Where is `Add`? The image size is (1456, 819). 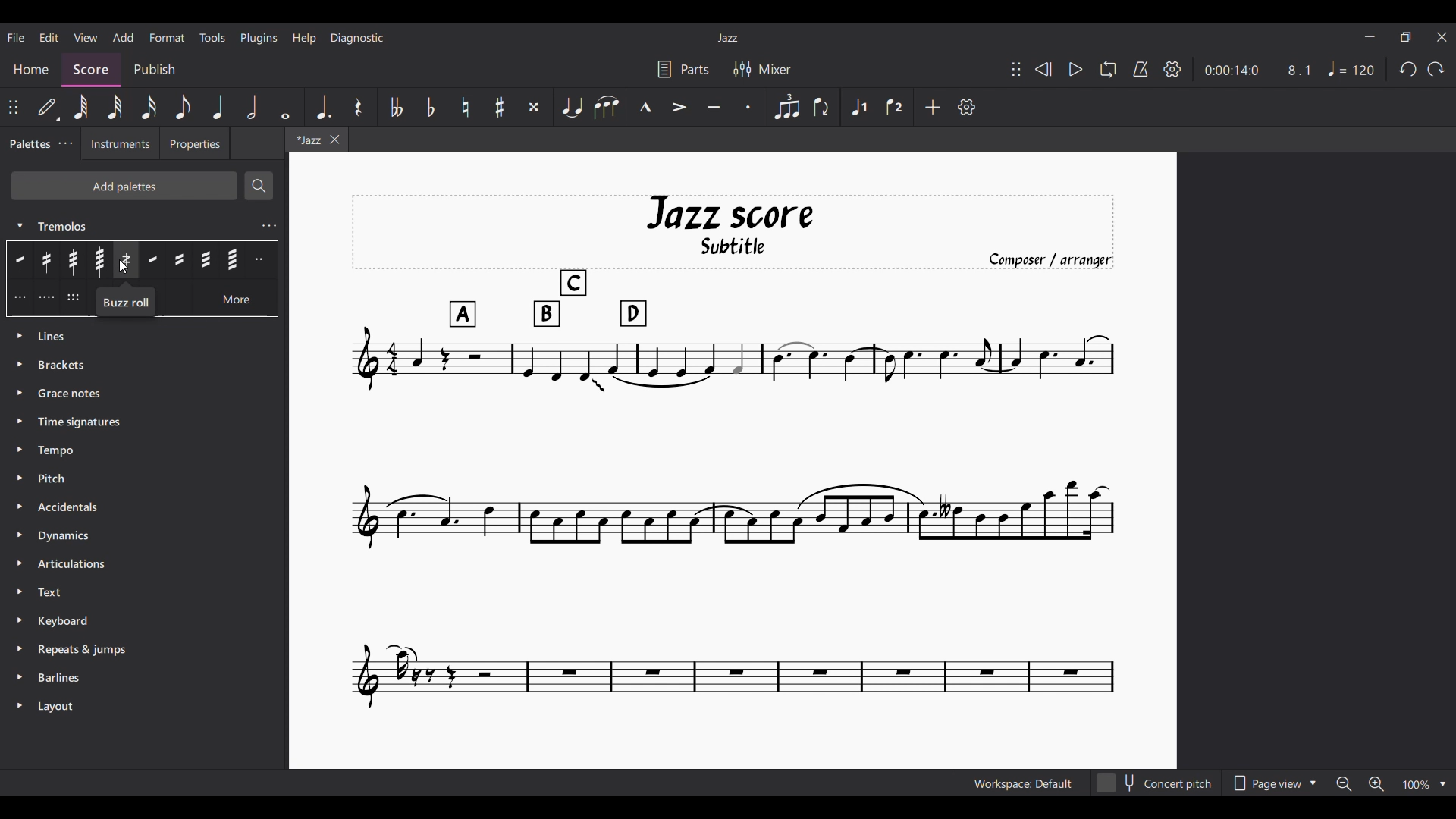 Add is located at coordinates (124, 37).